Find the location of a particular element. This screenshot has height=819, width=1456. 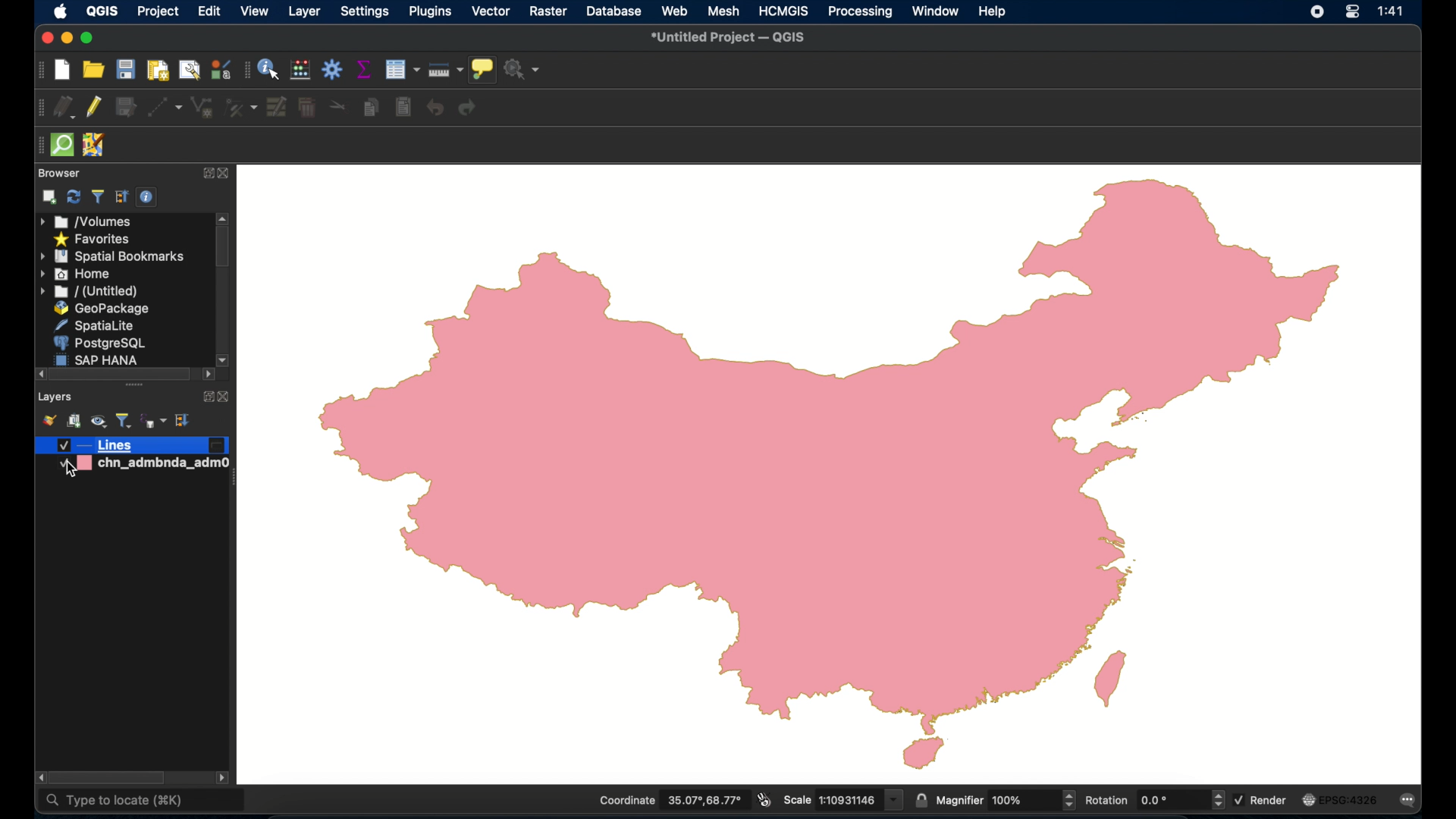

mesh is located at coordinates (724, 11).